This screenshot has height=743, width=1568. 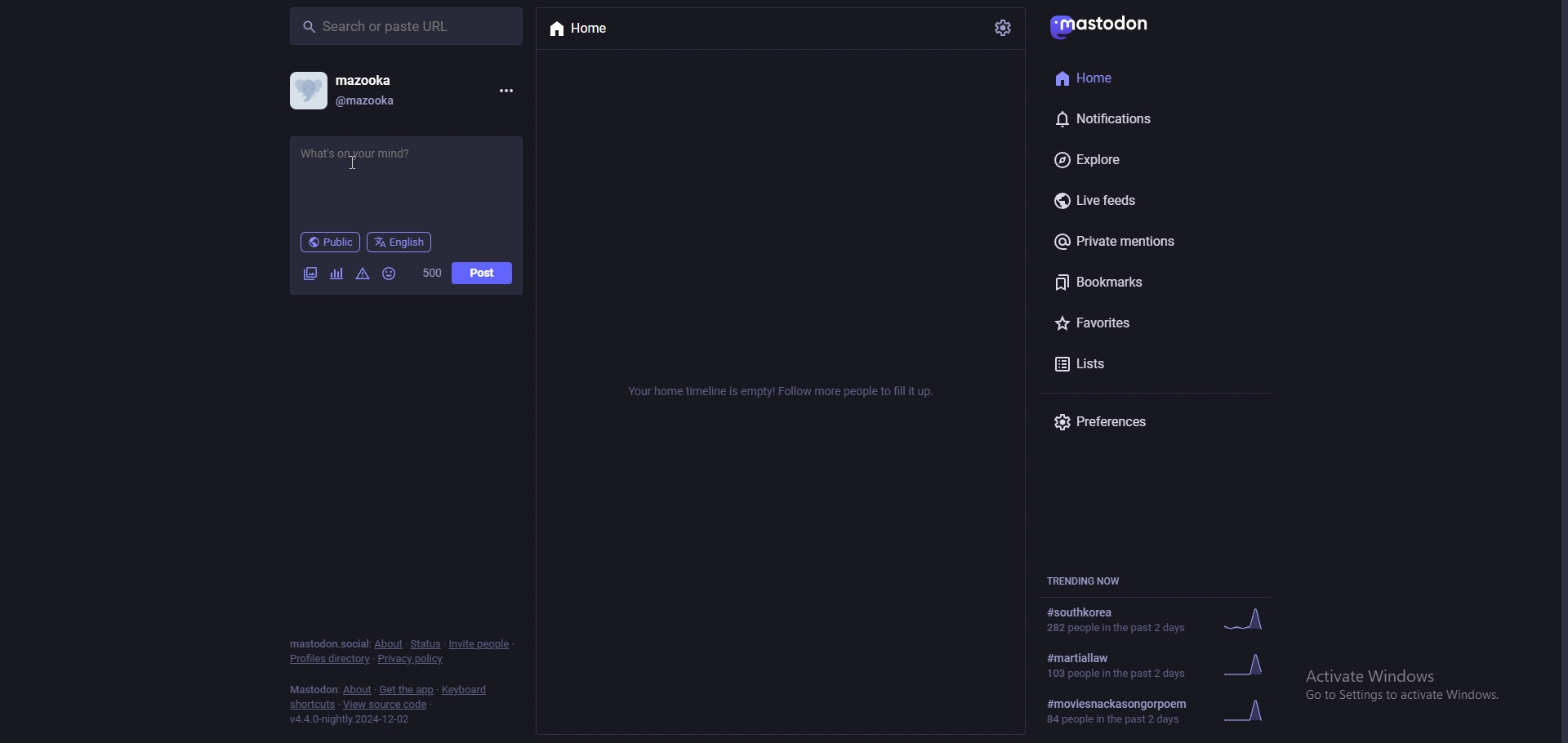 What do you see at coordinates (1158, 618) in the screenshot?
I see `trending` at bounding box center [1158, 618].